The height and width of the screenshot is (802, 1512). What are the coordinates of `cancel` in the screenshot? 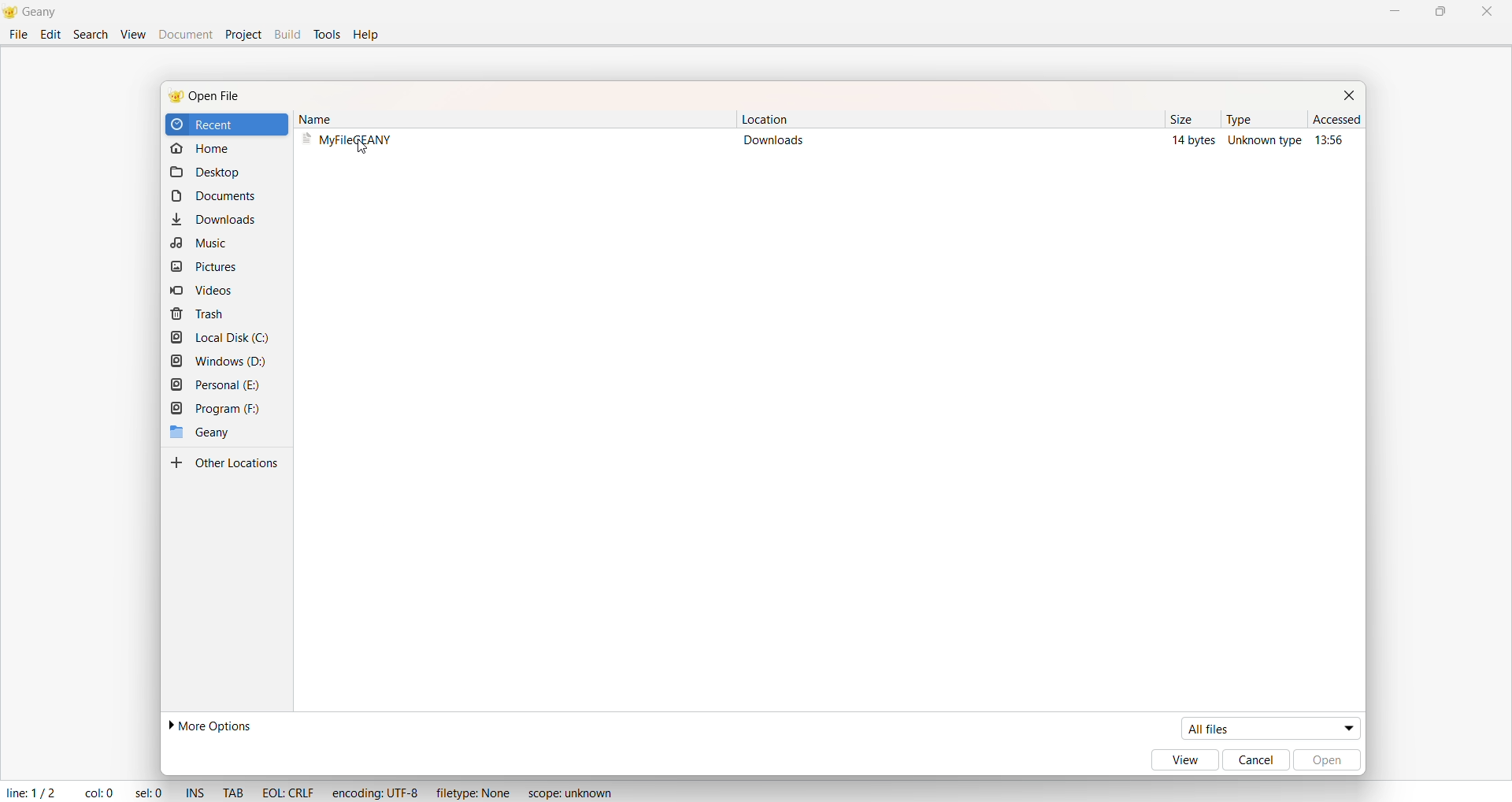 It's located at (1256, 760).